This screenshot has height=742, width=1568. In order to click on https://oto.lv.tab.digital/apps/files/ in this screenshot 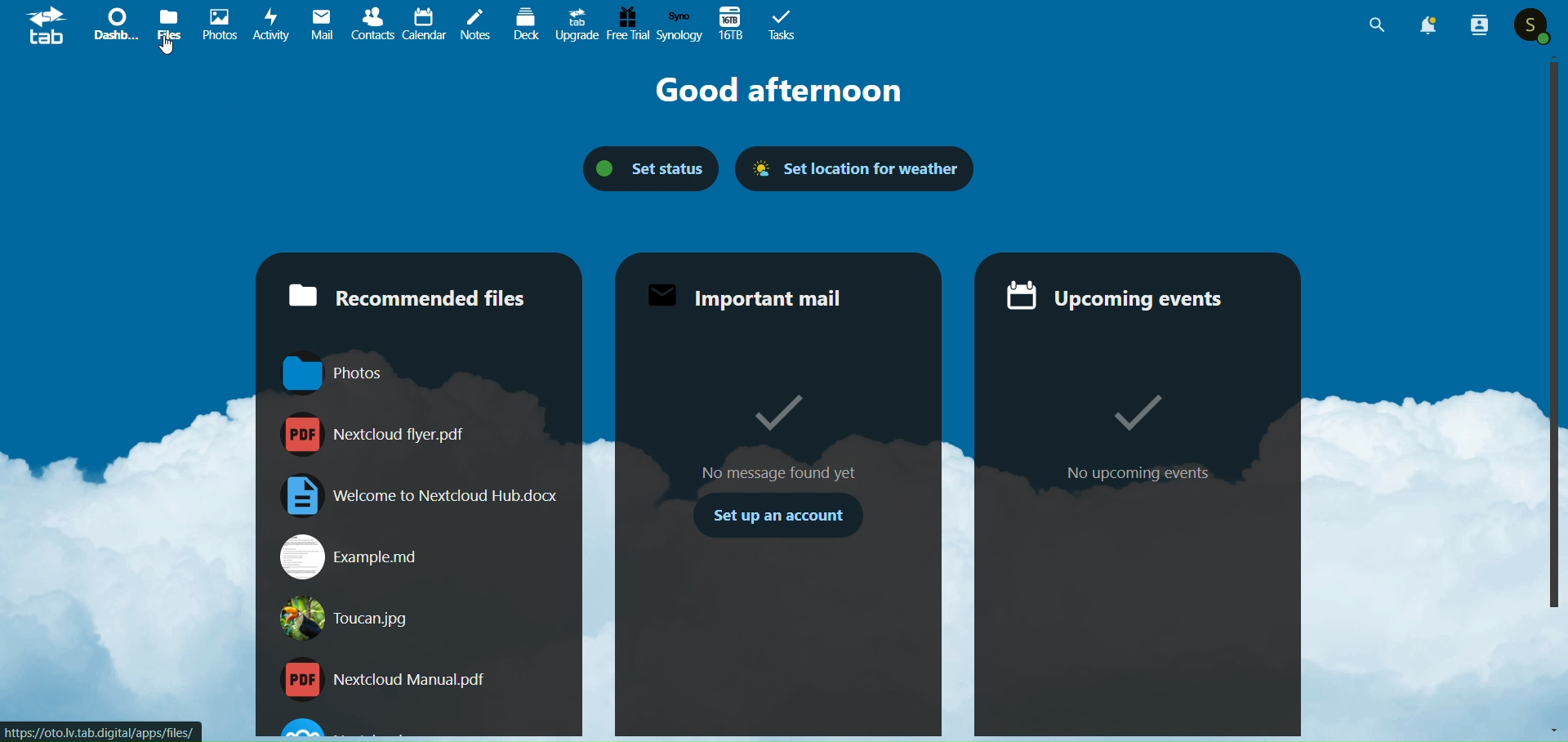, I will do `click(100, 732)`.